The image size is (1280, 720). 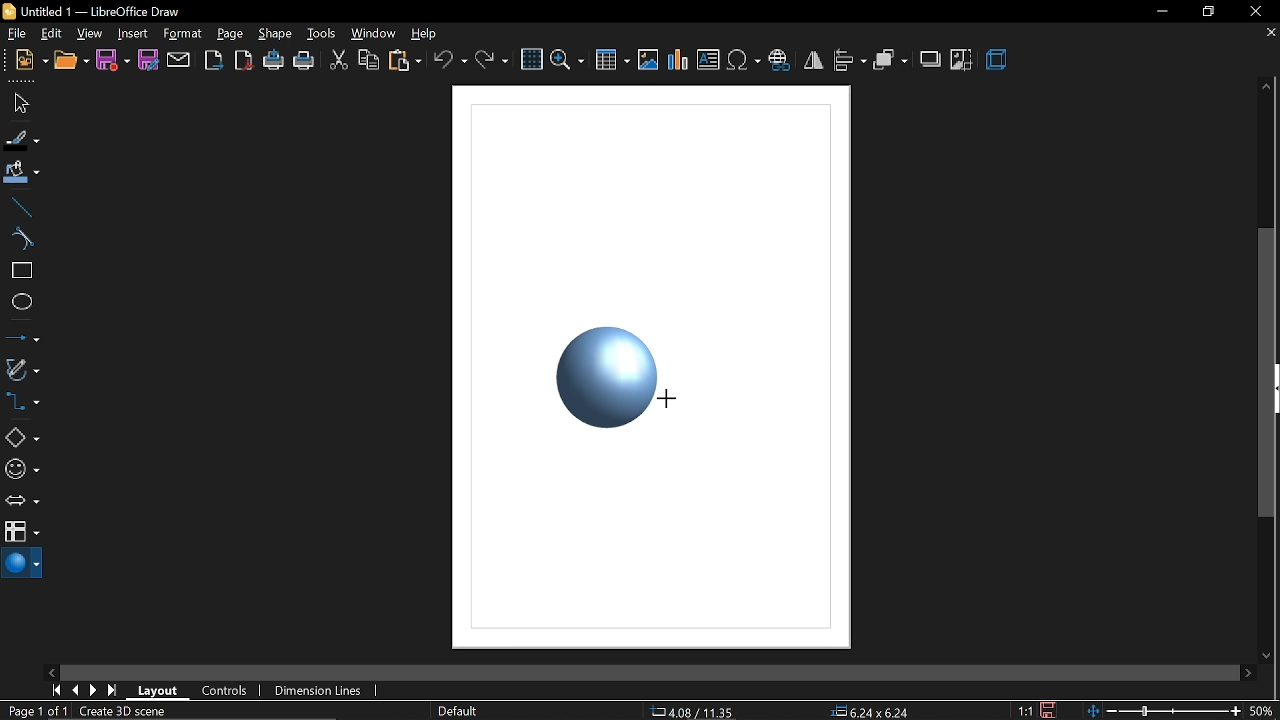 What do you see at coordinates (133, 712) in the screenshot?
I see `Create 3D Scene` at bounding box center [133, 712].